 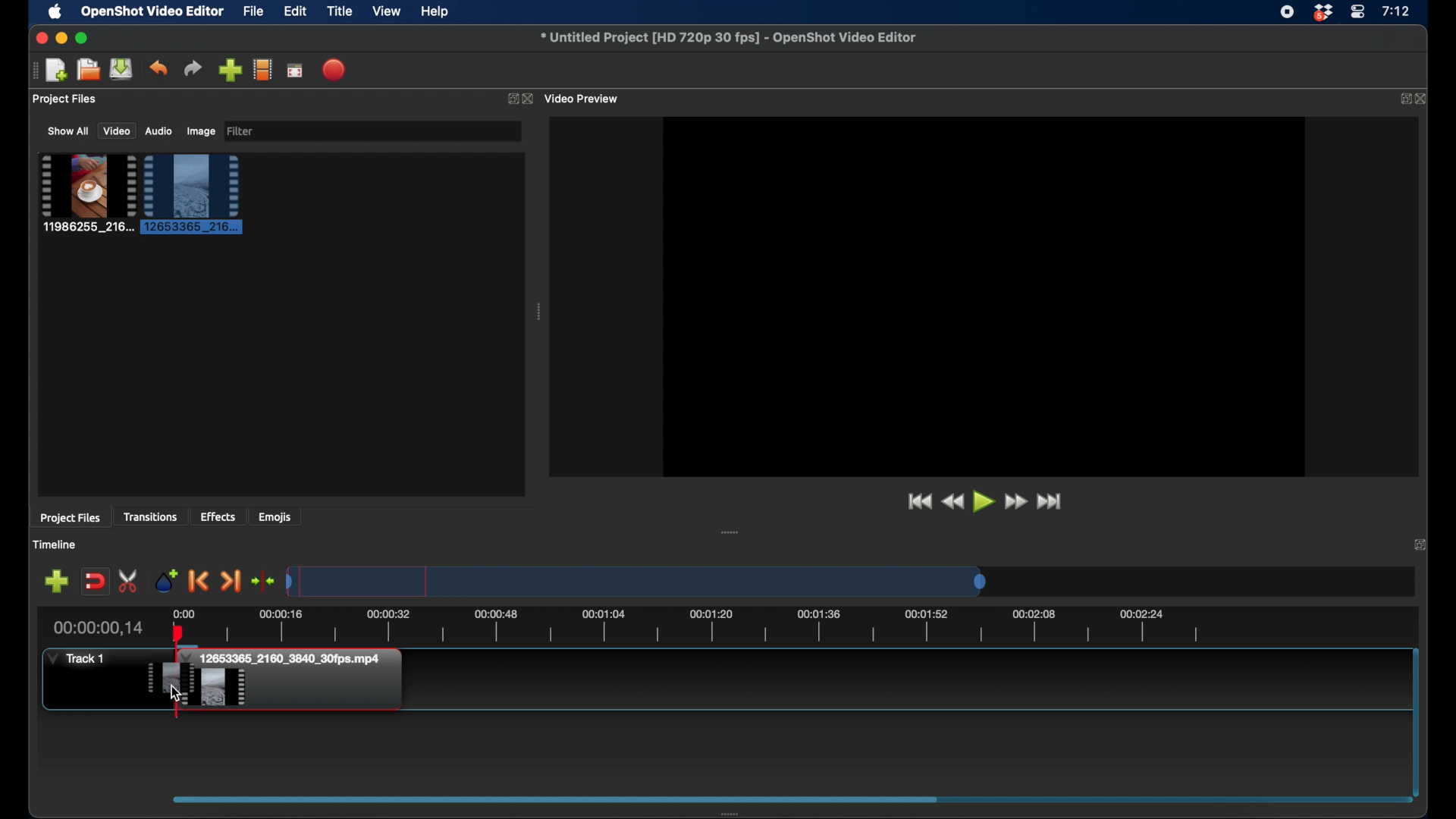 I want to click on image, so click(x=200, y=132).